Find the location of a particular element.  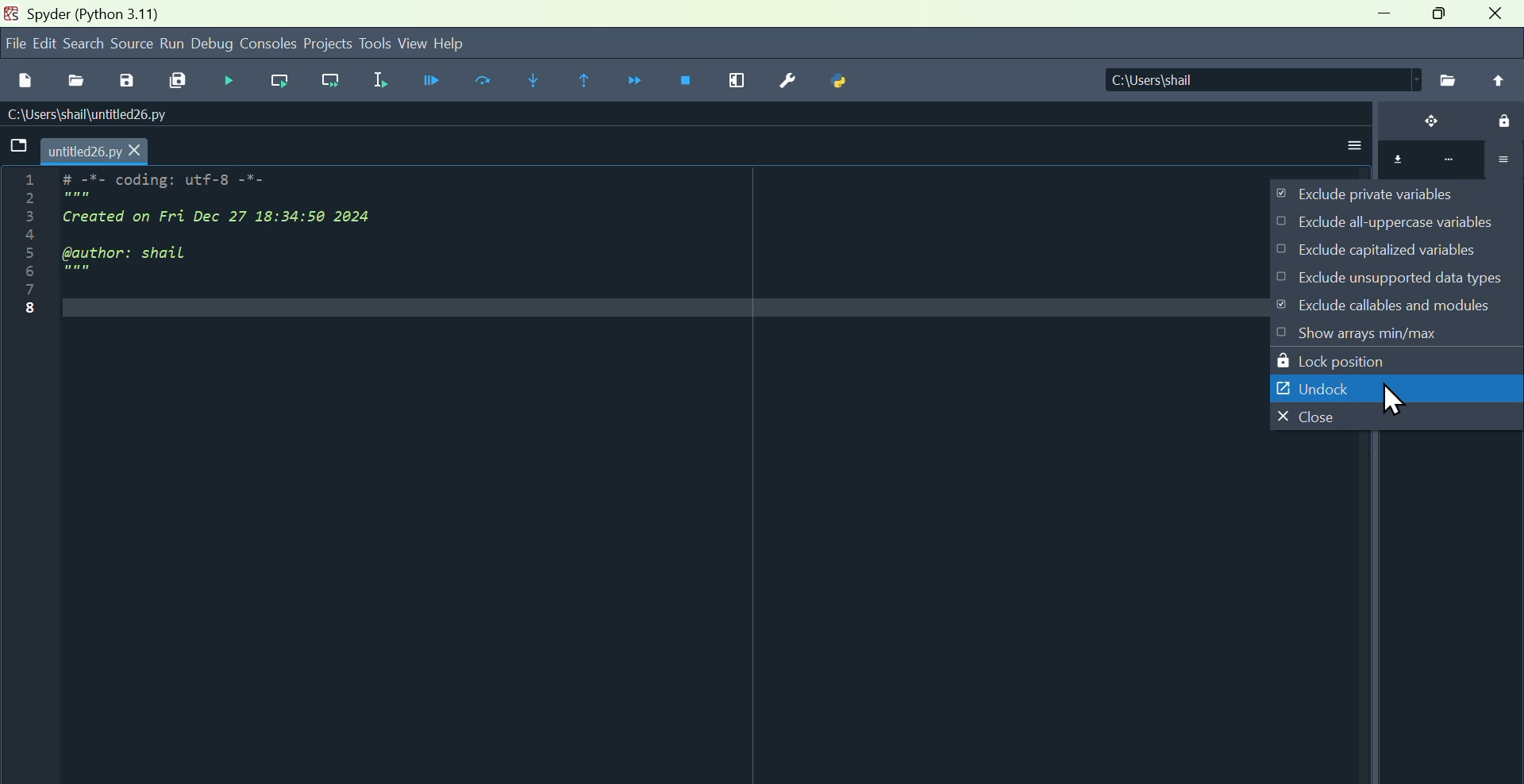

© Show arrays min/max is located at coordinates (1361, 333).